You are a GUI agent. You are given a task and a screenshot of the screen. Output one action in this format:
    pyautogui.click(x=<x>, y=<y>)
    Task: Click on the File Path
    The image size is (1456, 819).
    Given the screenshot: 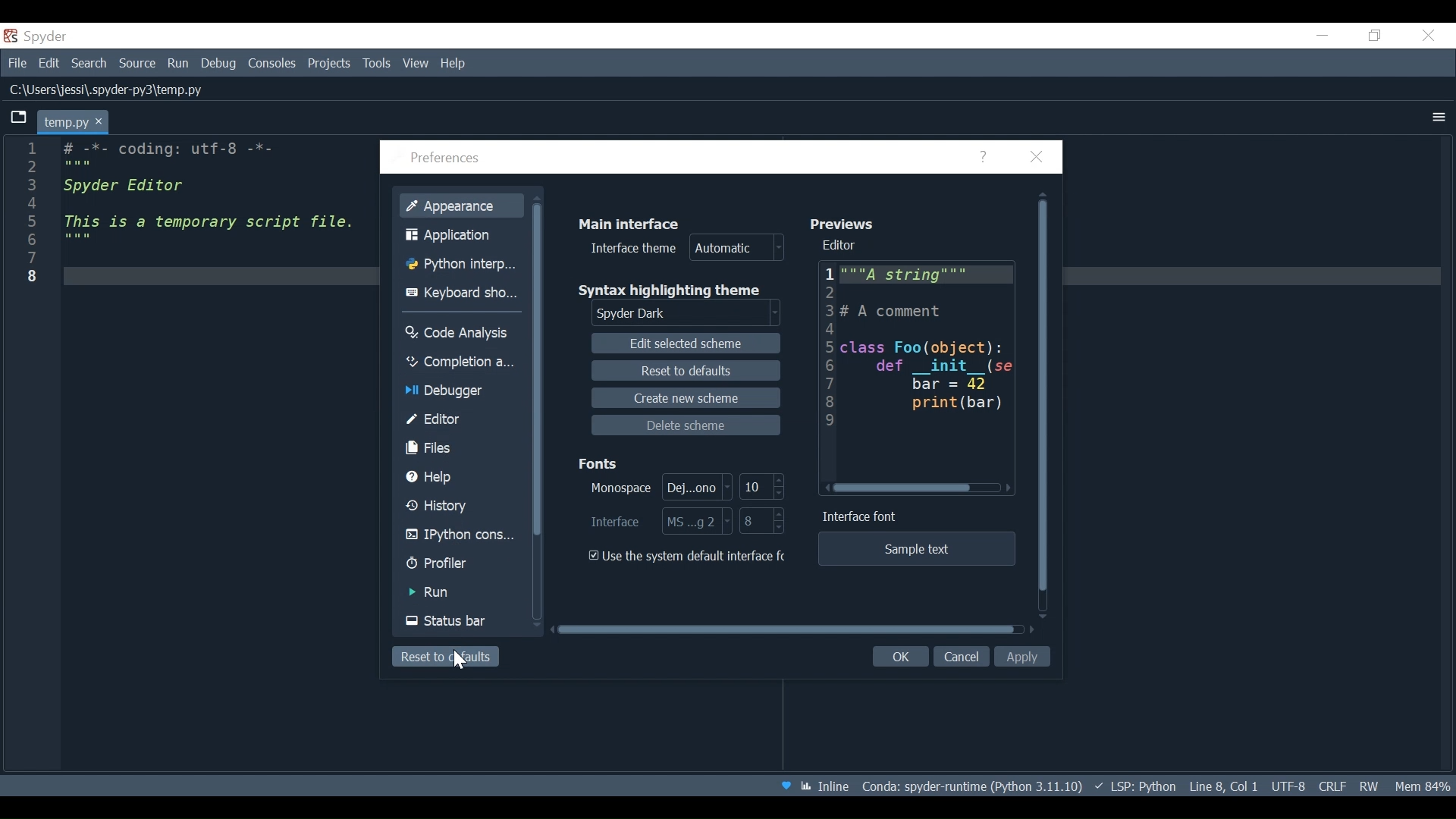 What is the action you would take?
    pyautogui.click(x=108, y=91)
    